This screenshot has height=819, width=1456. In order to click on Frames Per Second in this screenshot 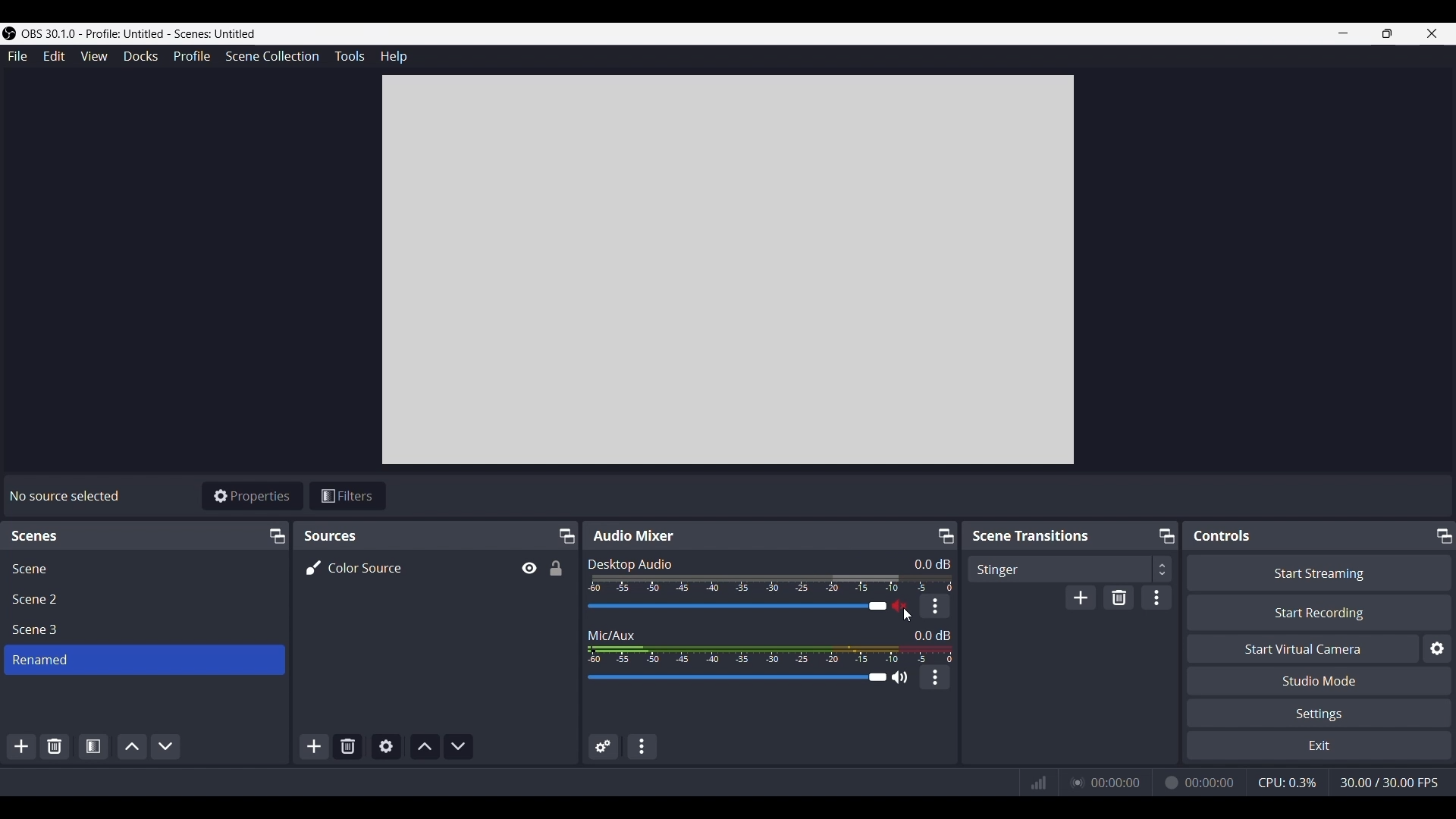, I will do `click(1389, 783)`.